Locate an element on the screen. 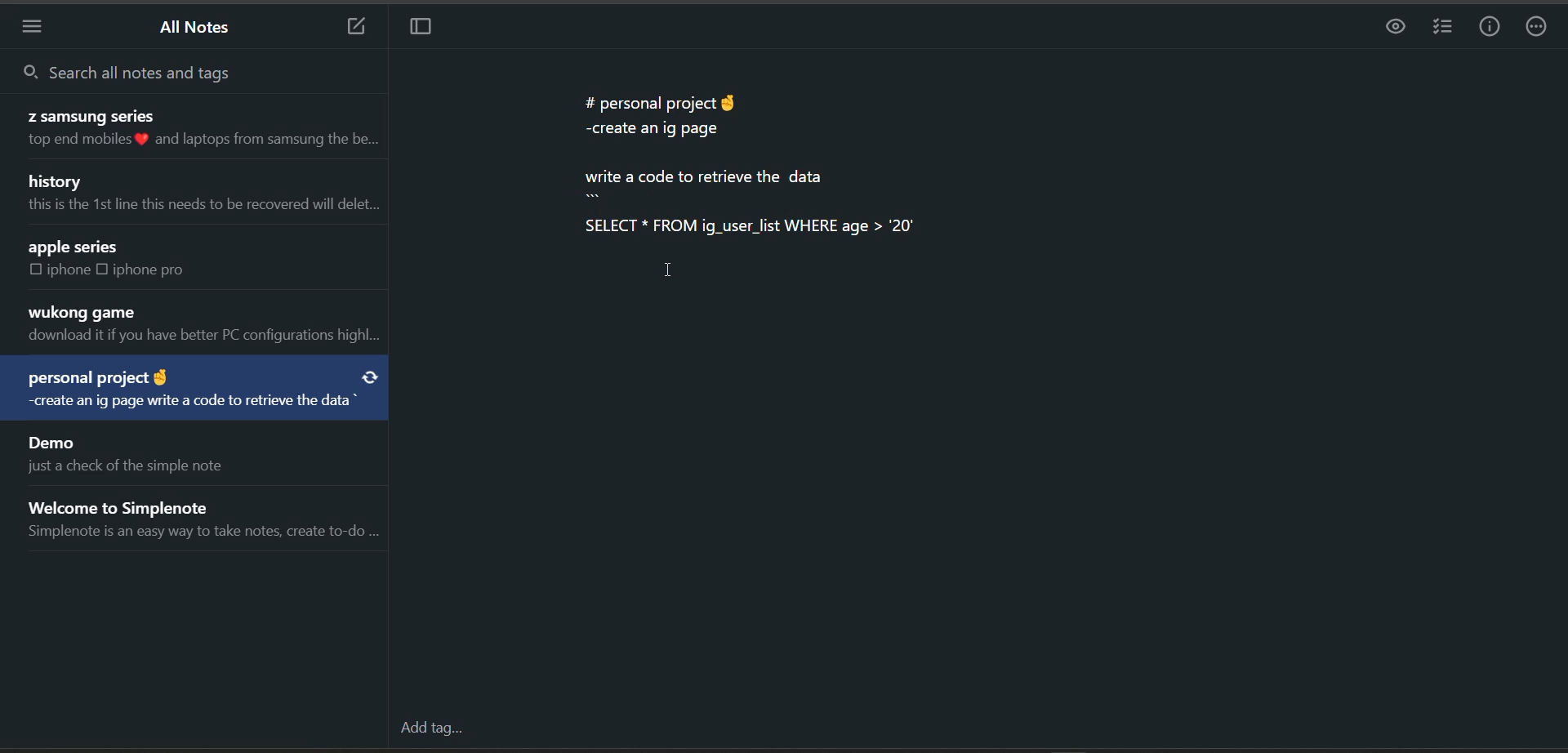  add tag is located at coordinates (429, 730).